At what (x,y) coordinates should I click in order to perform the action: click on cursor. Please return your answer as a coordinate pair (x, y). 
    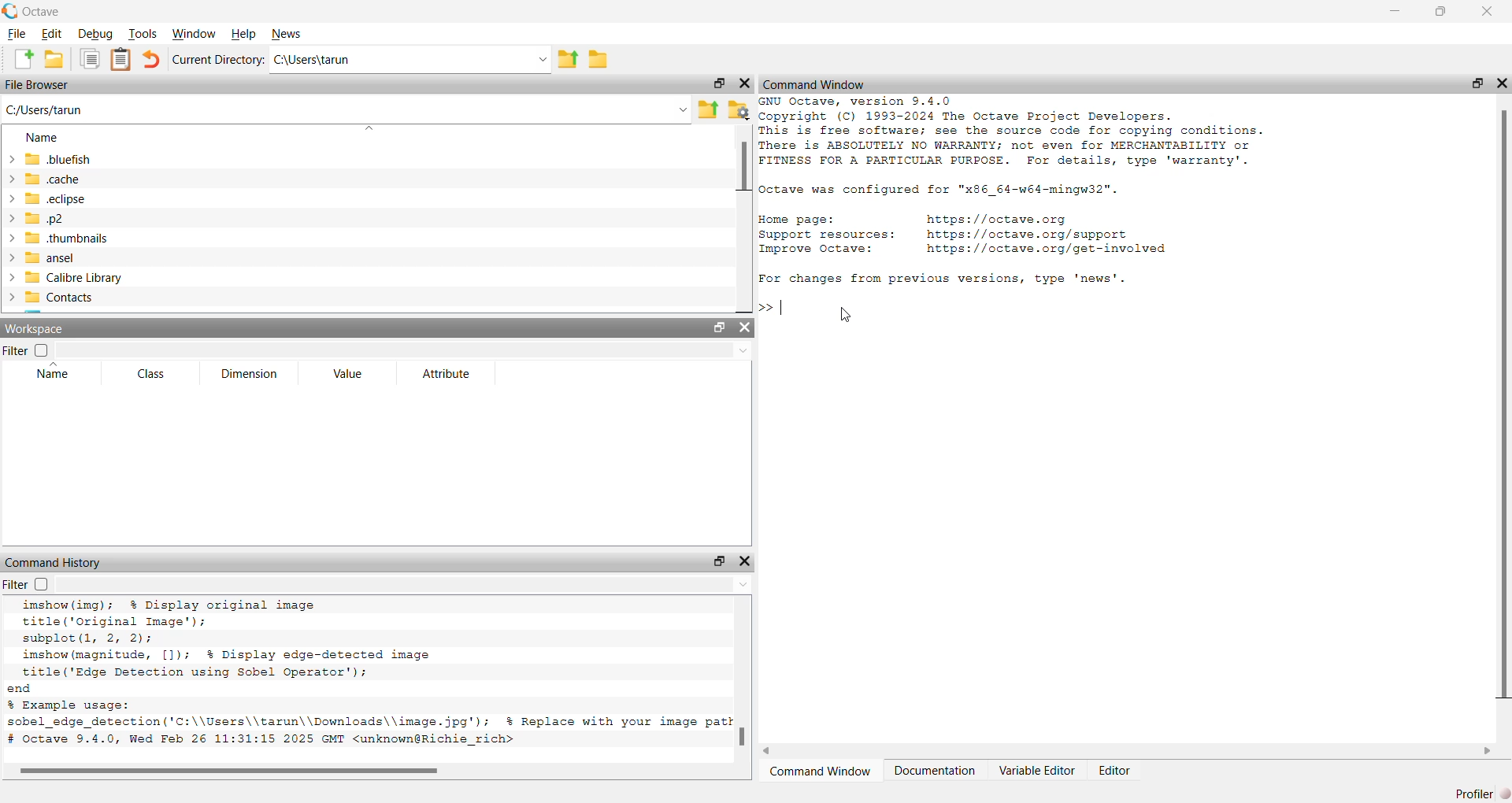
    Looking at the image, I should click on (847, 316).